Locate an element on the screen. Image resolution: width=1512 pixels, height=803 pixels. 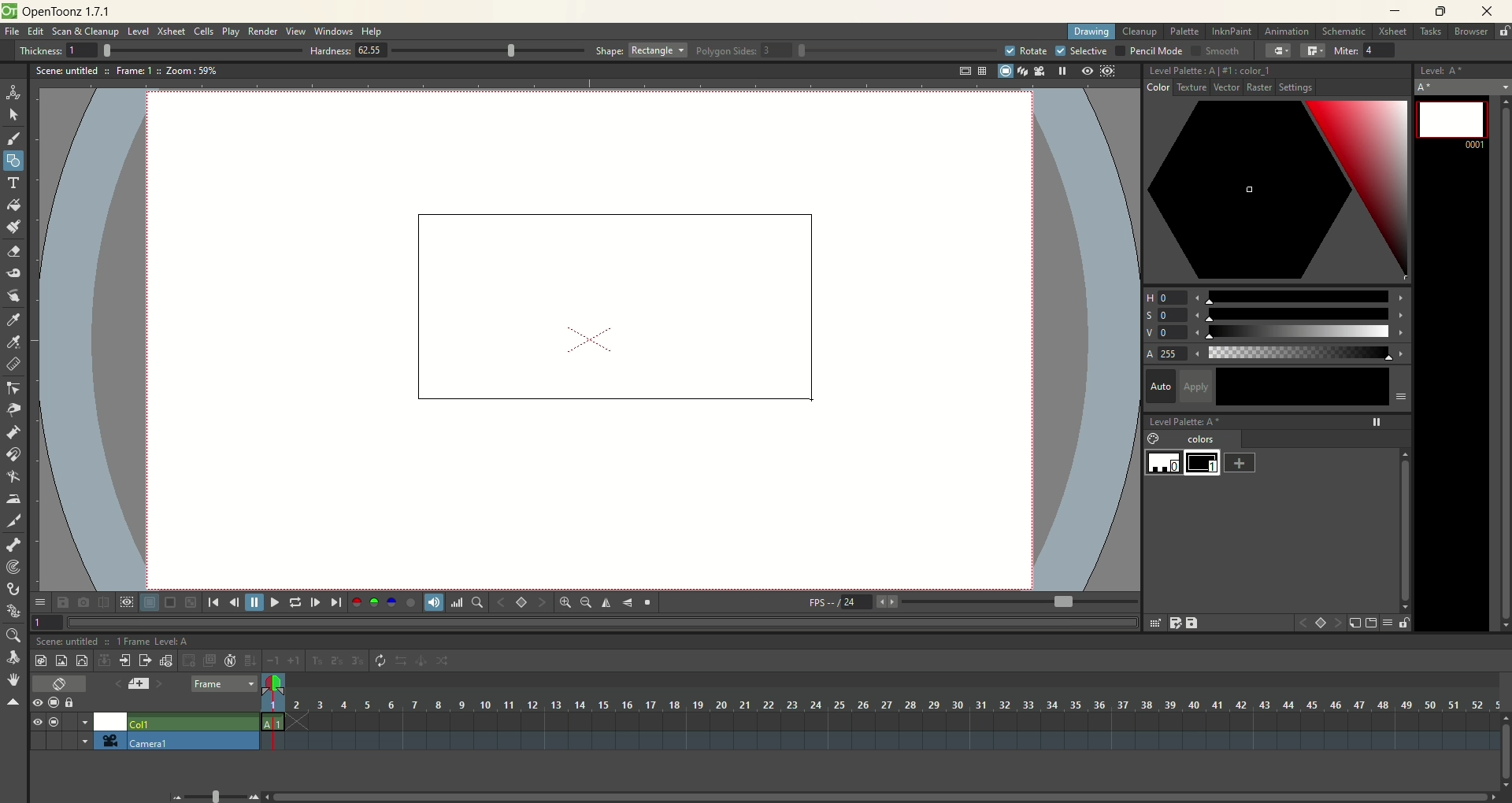
minimize is located at coordinates (1395, 10).